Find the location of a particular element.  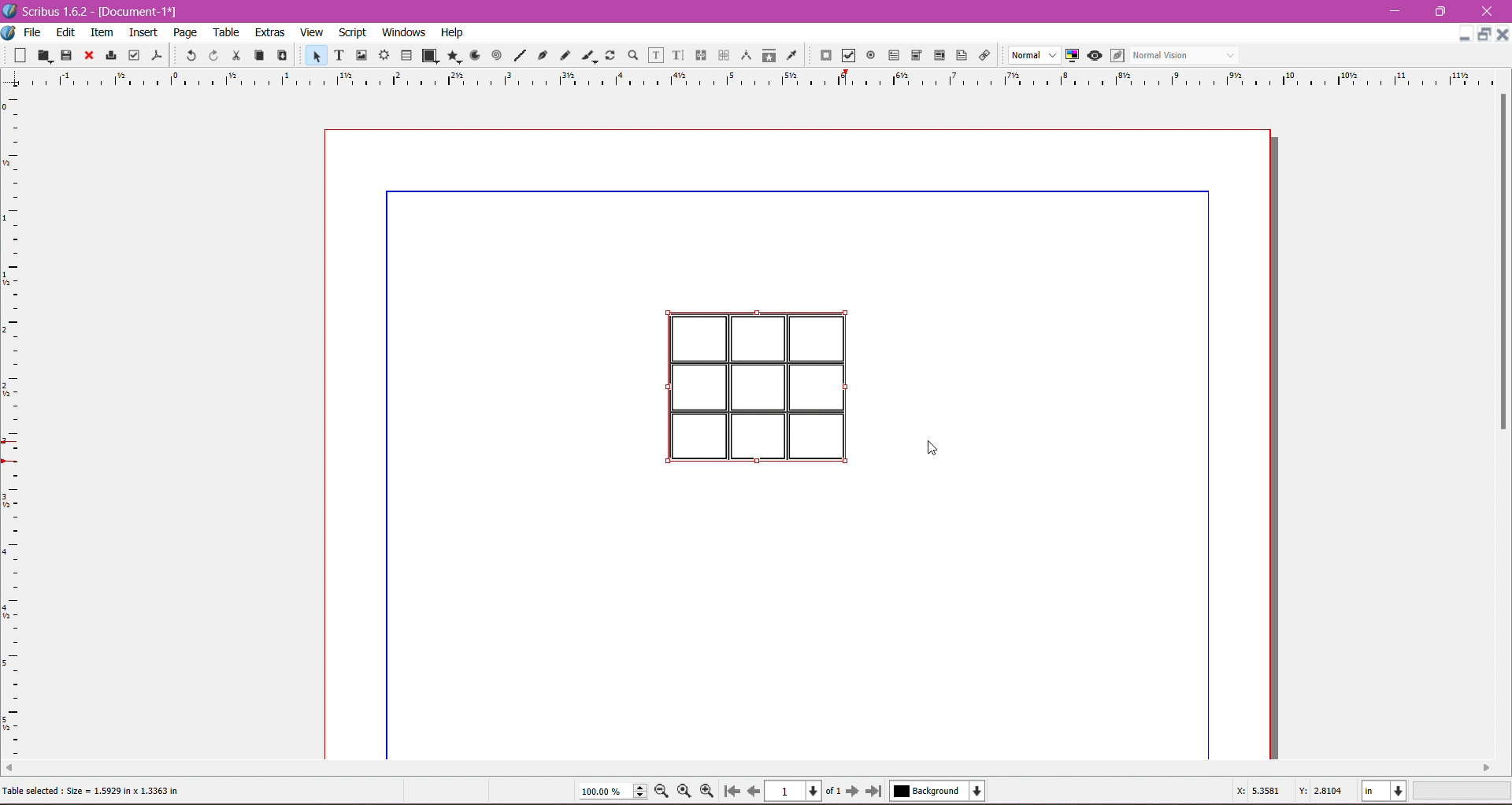

Page is located at coordinates (183, 32).